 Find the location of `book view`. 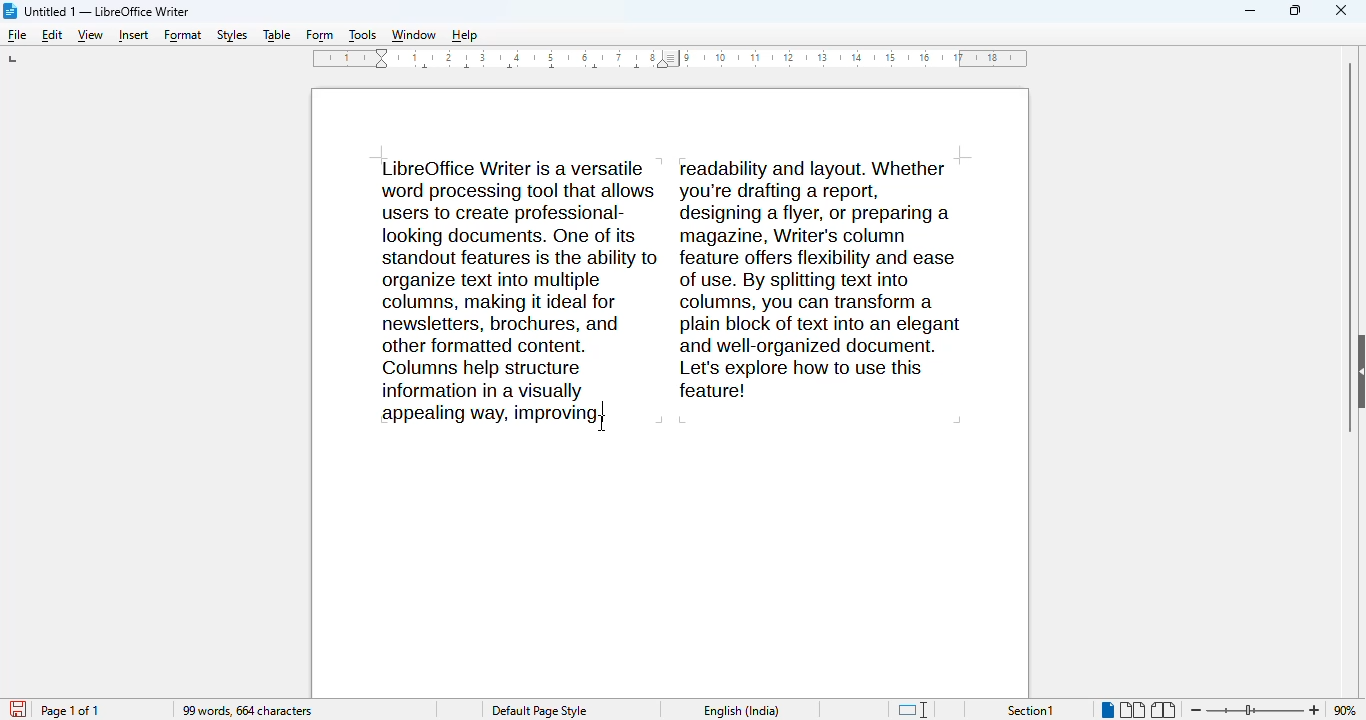

book view is located at coordinates (1163, 710).